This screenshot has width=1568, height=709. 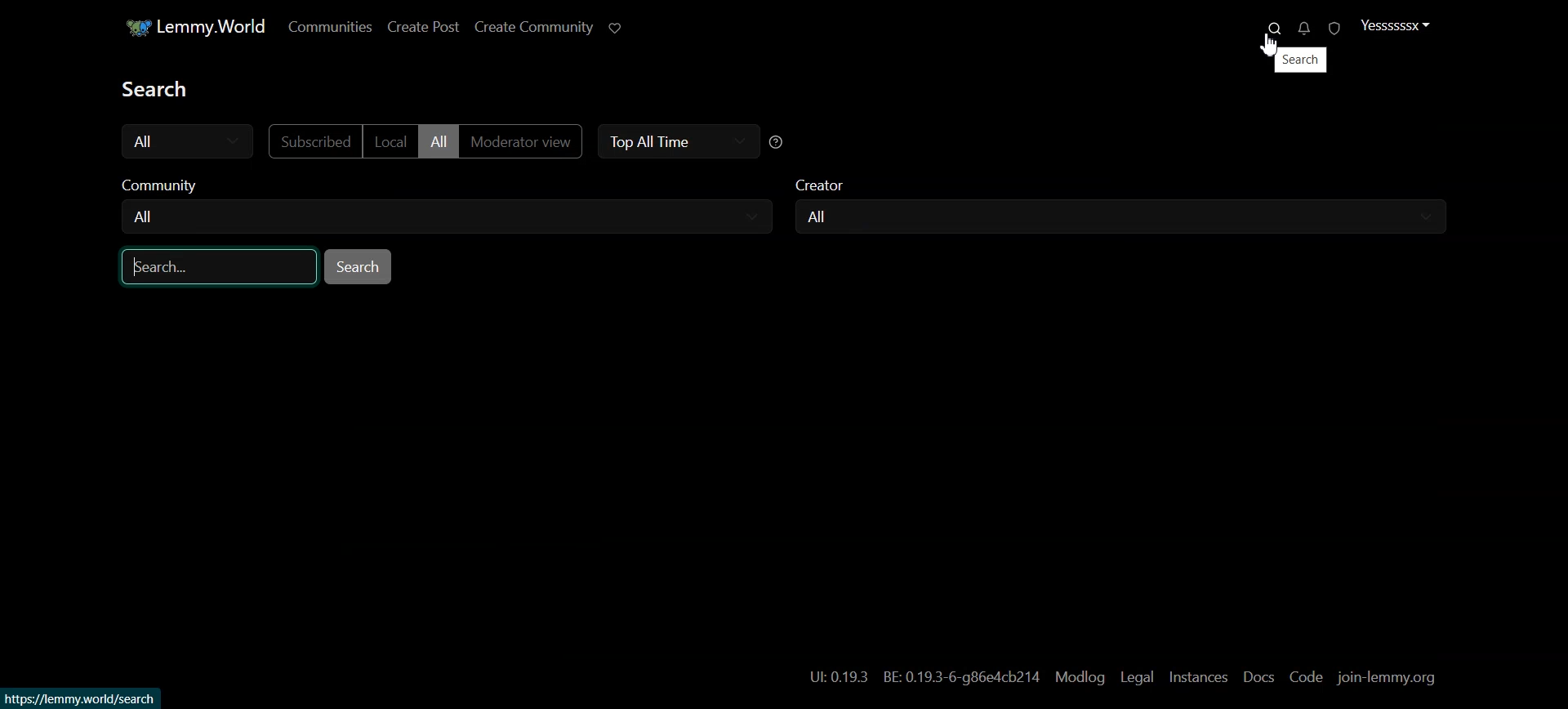 I want to click on Top All Time, so click(x=678, y=141).